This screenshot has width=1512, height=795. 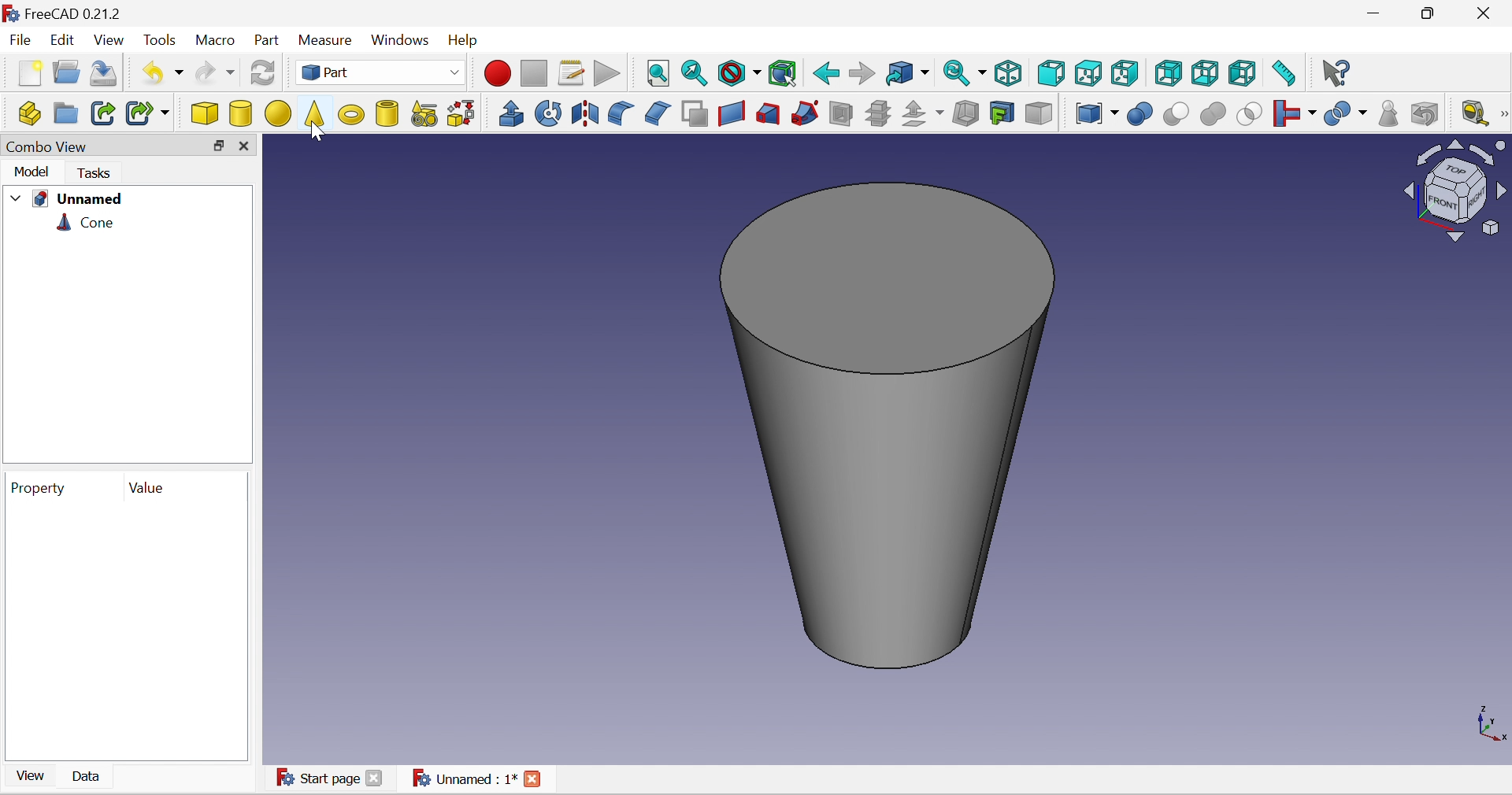 I want to click on Fit all, so click(x=660, y=72).